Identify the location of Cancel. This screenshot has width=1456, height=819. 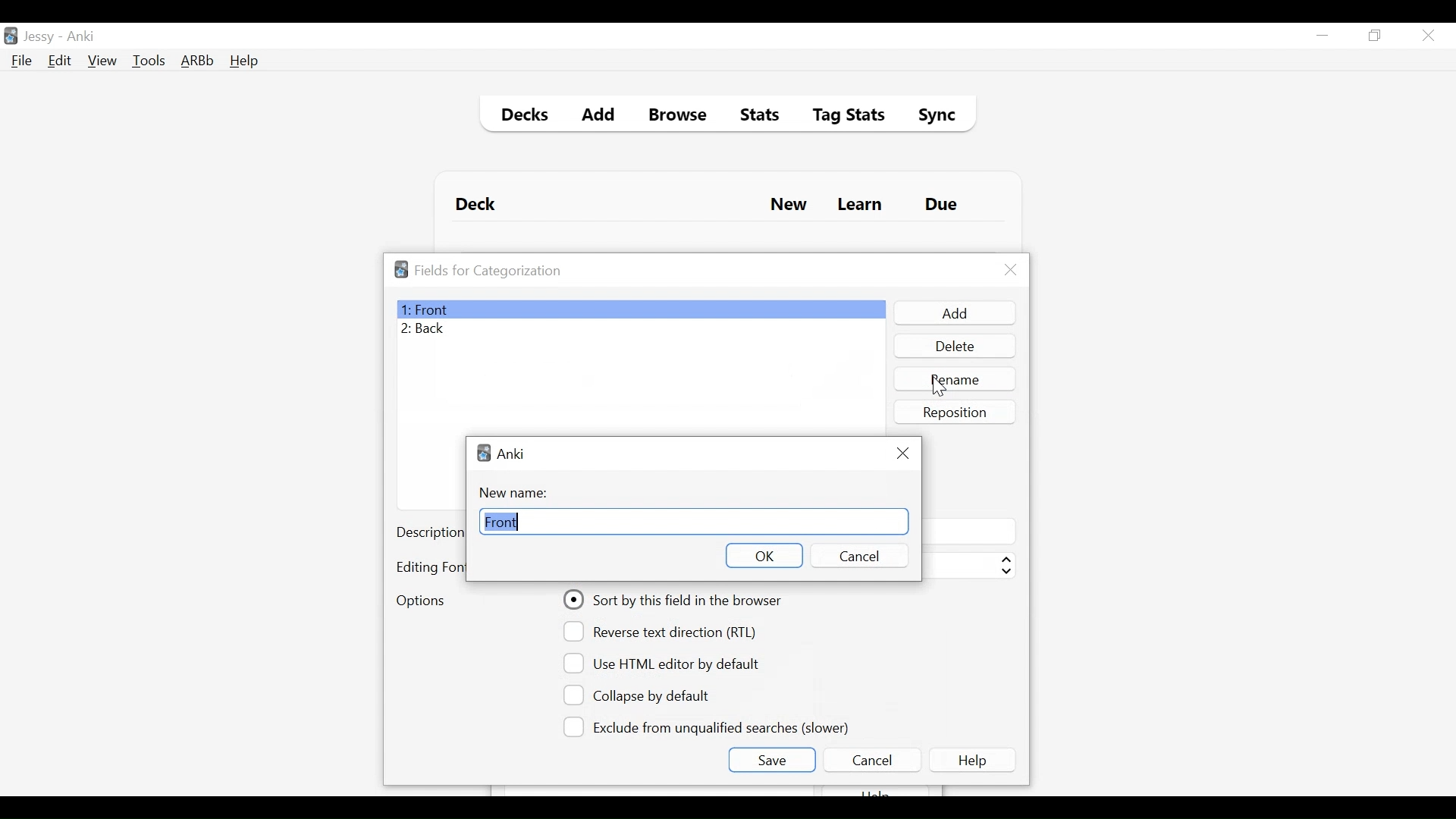
(871, 760).